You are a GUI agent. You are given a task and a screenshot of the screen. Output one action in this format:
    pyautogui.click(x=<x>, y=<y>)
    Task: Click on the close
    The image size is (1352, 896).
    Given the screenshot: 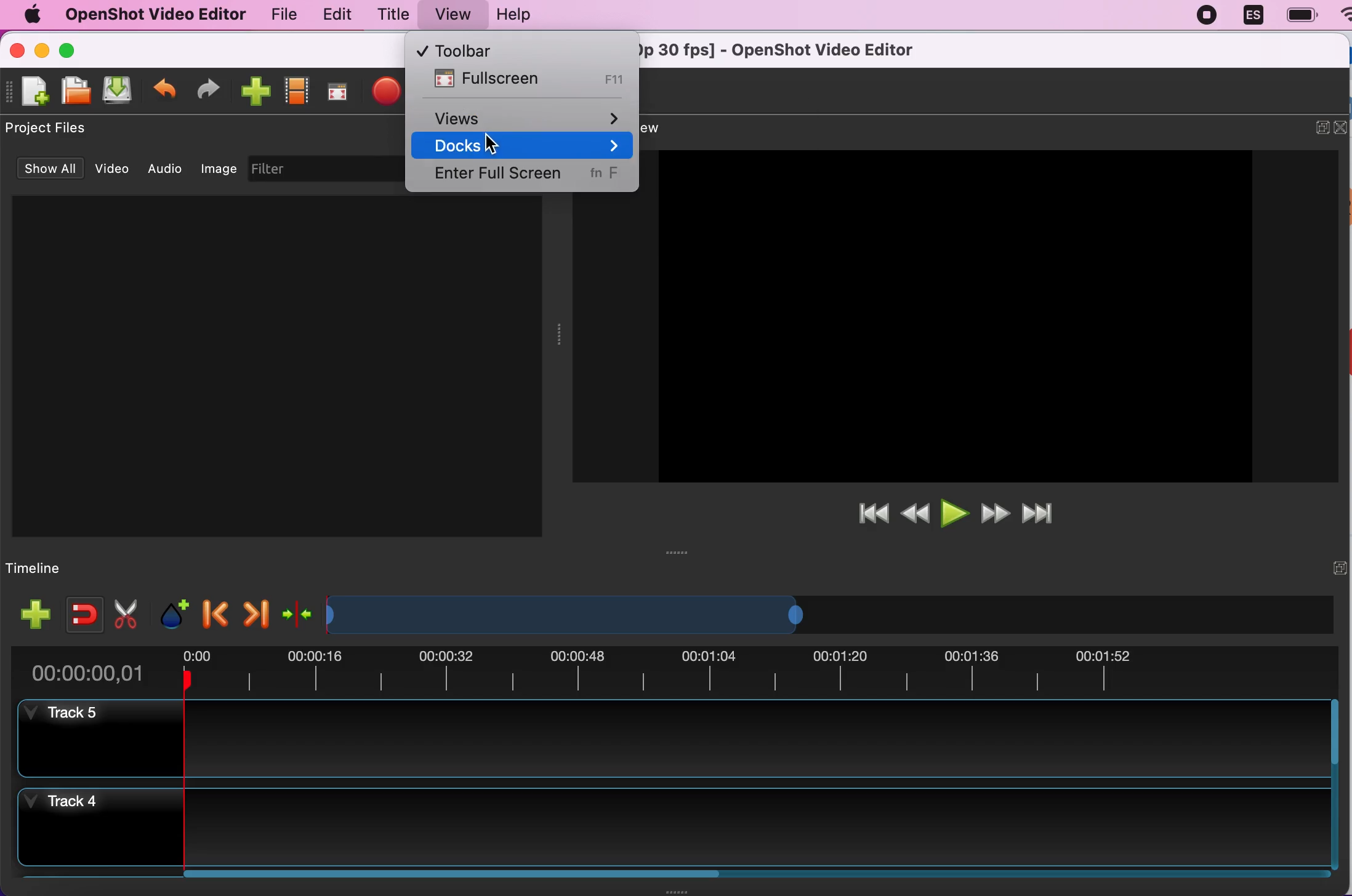 What is the action you would take?
    pyautogui.click(x=1343, y=127)
    